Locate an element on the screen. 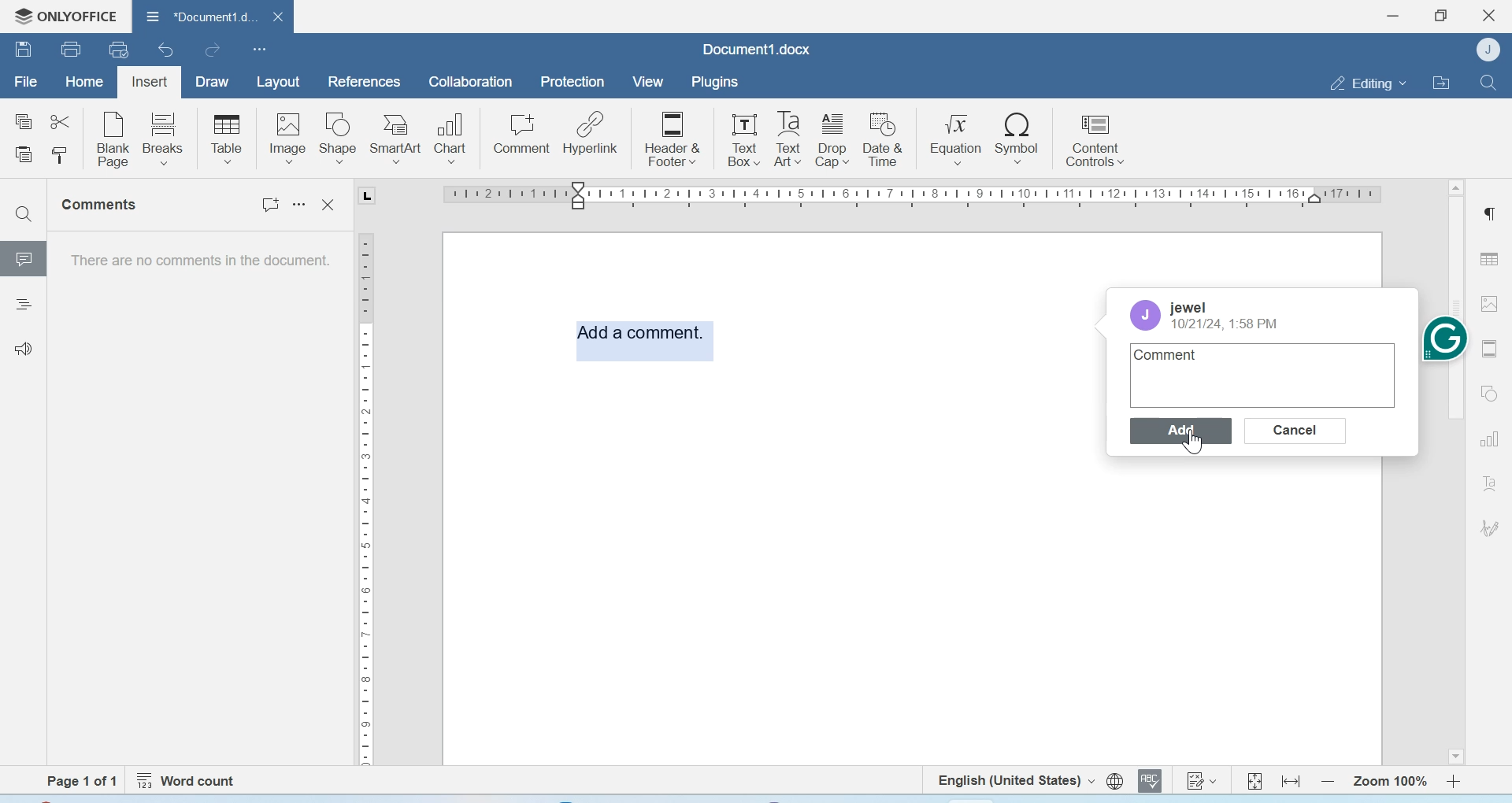 The image size is (1512, 803). View is located at coordinates (647, 83).